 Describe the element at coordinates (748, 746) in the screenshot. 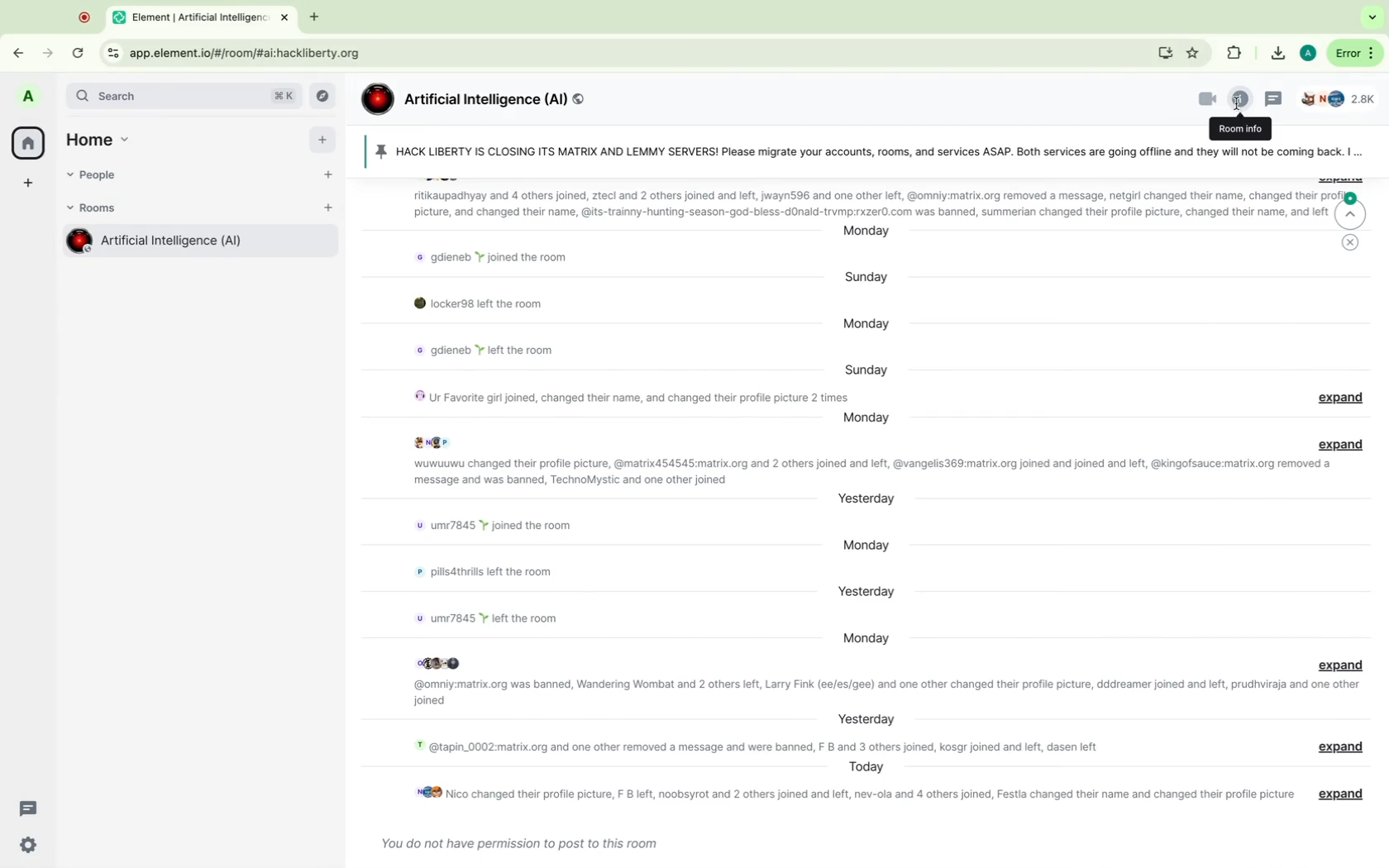

I see `message` at that location.